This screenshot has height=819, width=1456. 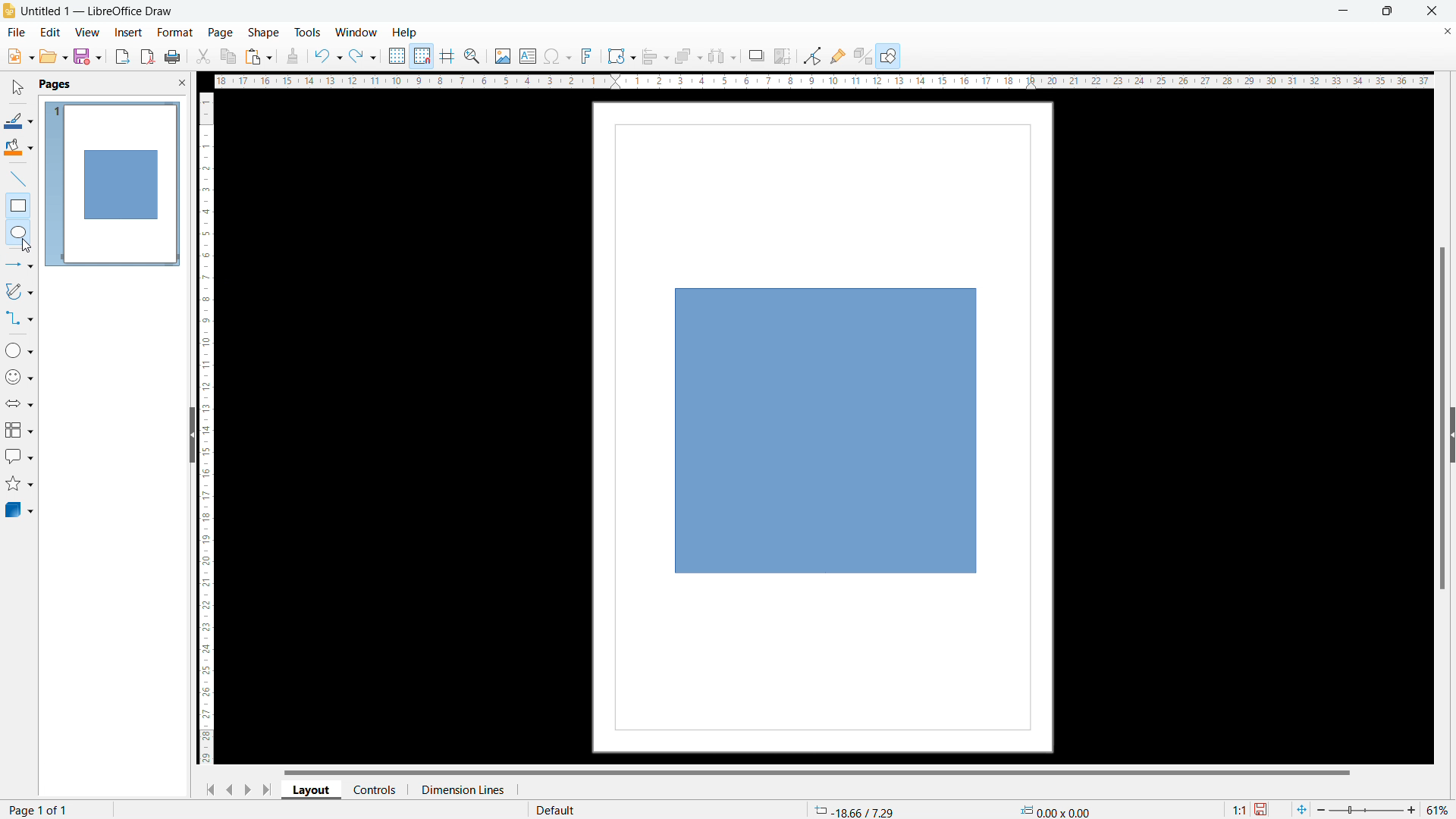 What do you see at coordinates (1386, 11) in the screenshot?
I see `maximize` at bounding box center [1386, 11].